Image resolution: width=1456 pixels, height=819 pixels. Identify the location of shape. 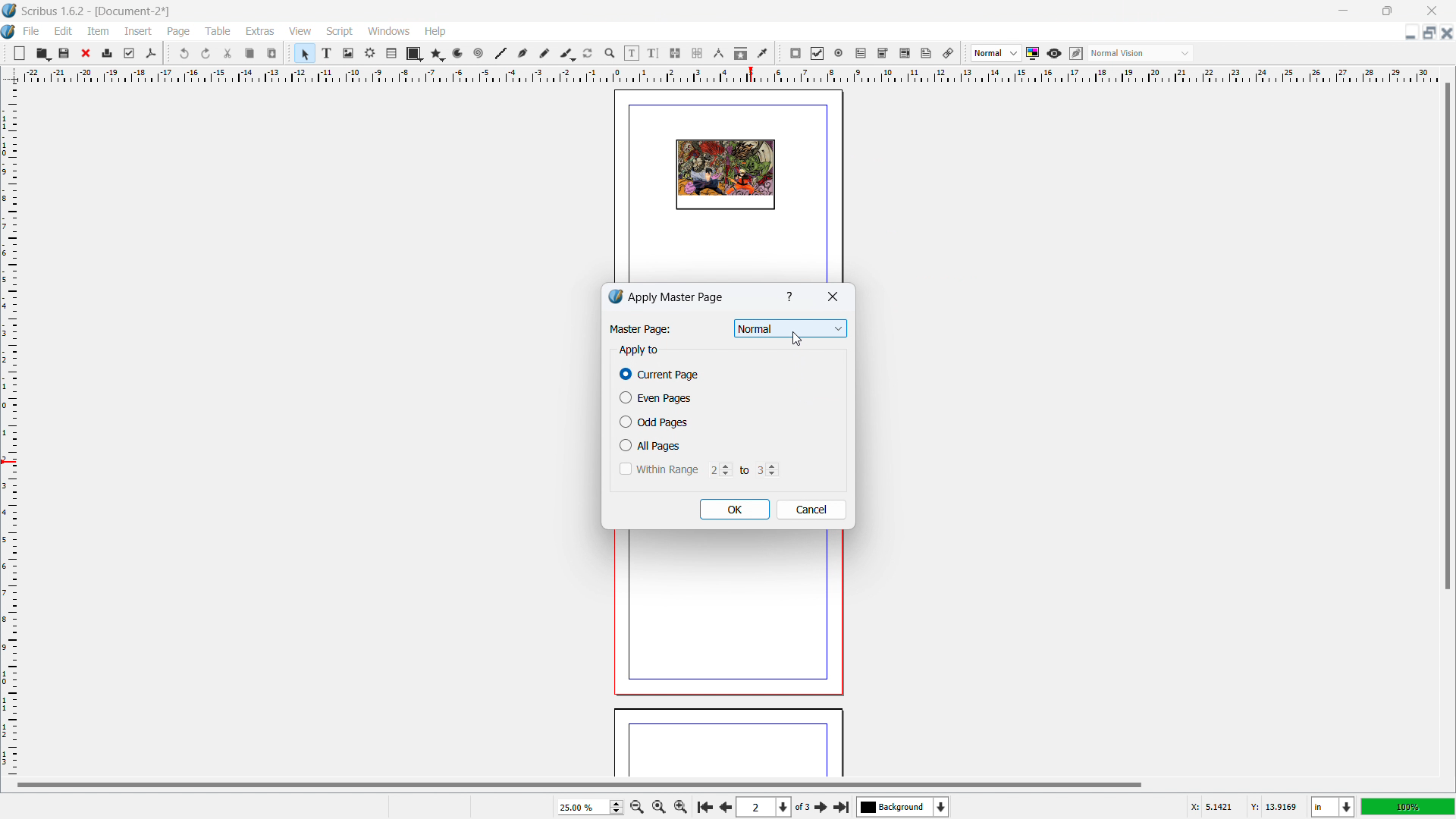
(415, 54).